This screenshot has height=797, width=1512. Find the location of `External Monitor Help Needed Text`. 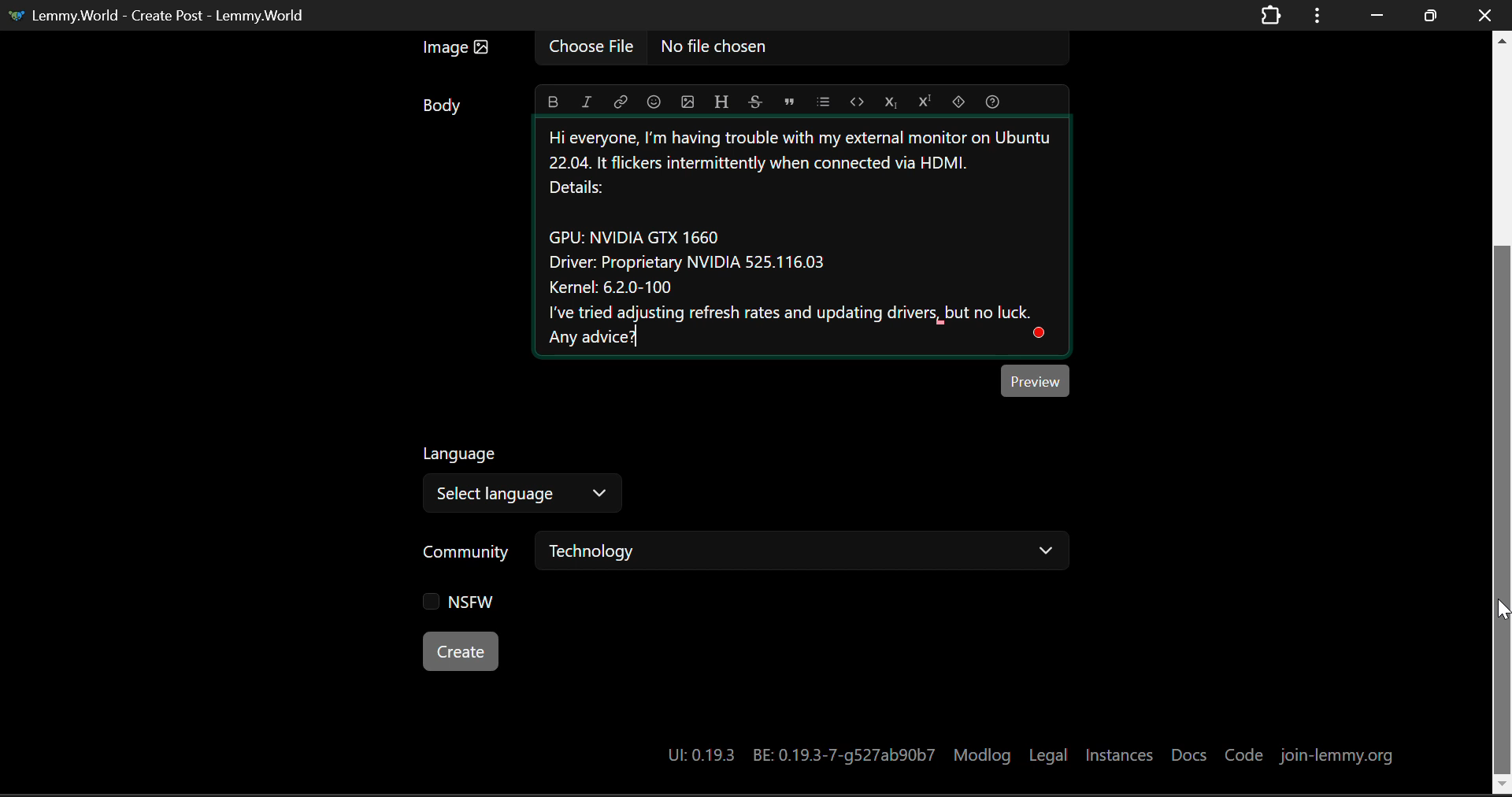

External Monitor Help Needed Text is located at coordinates (812, 241).